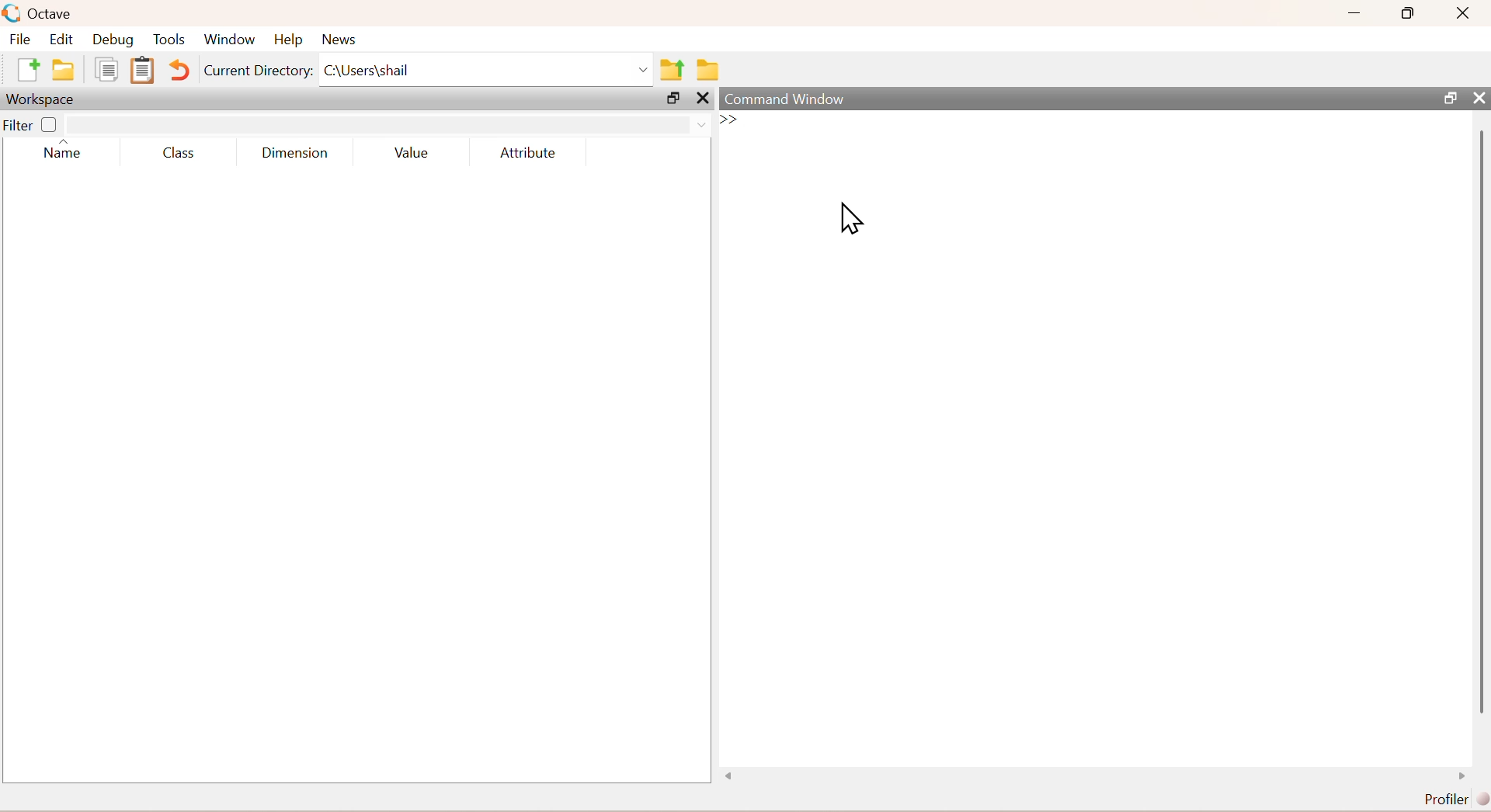 The width and height of the screenshot is (1491, 812). I want to click on Undo , so click(179, 70).